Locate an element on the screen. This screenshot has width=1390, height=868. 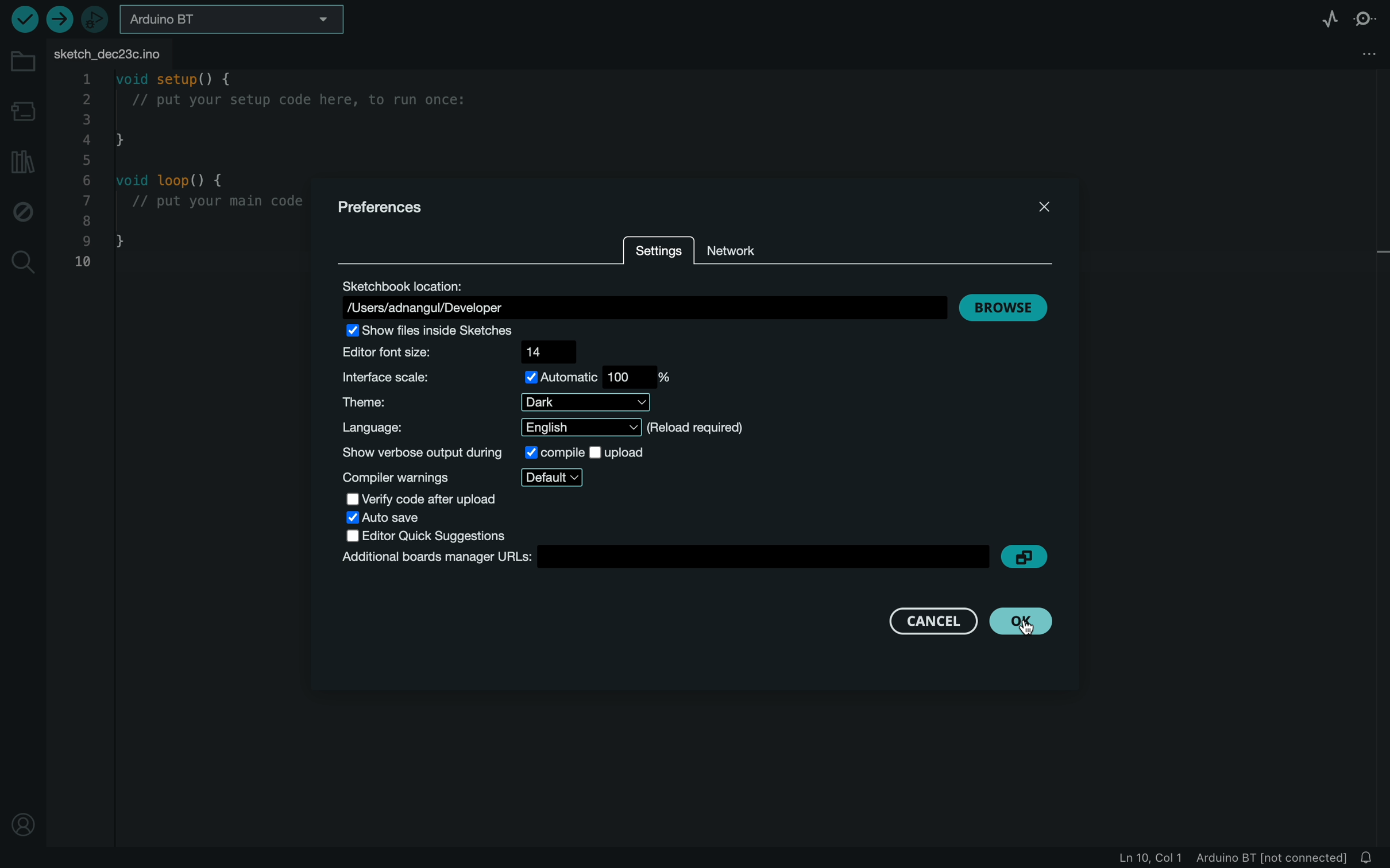
cursor is located at coordinates (1035, 626).